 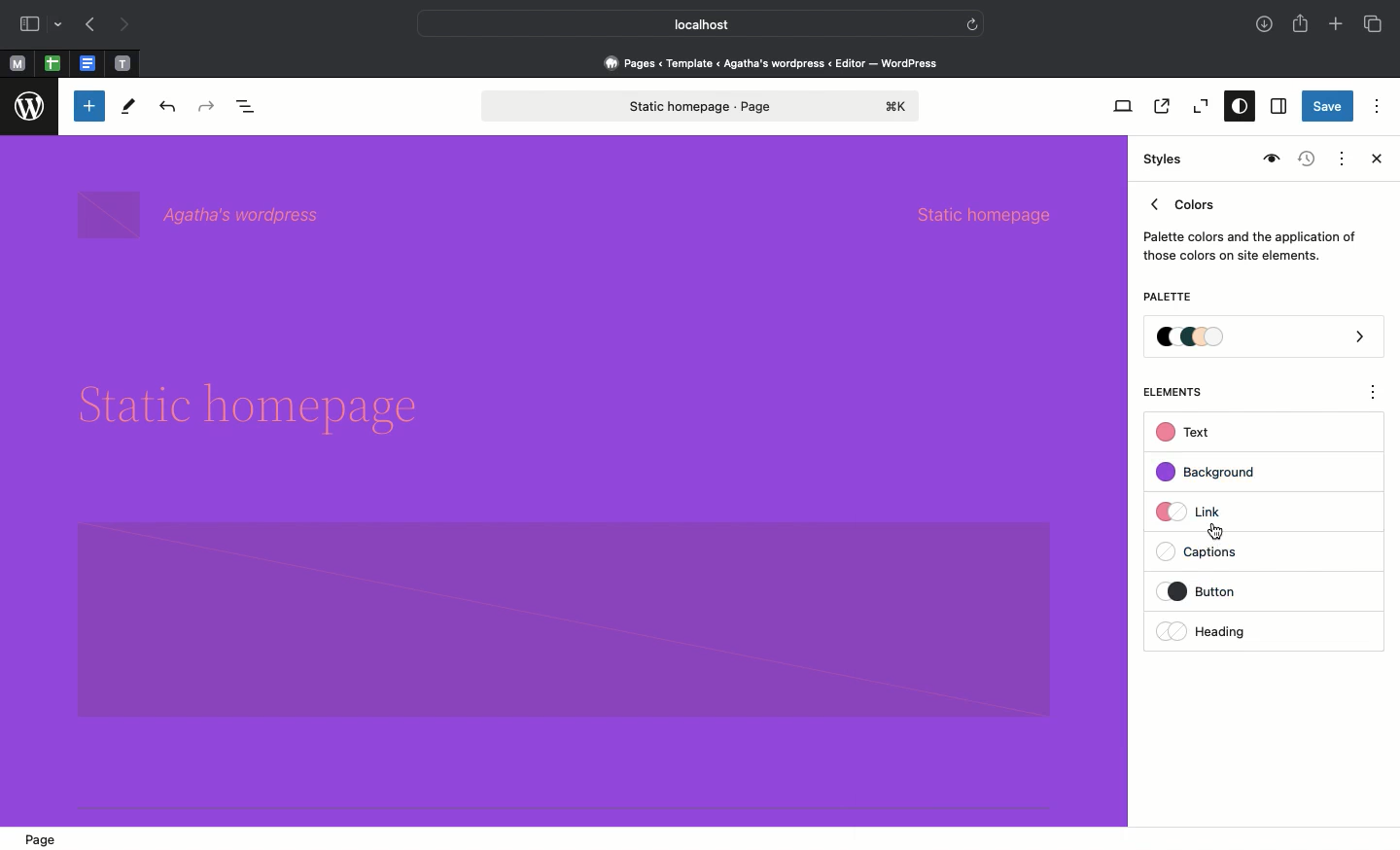 I want to click on Page, so click(x=47, y=838).